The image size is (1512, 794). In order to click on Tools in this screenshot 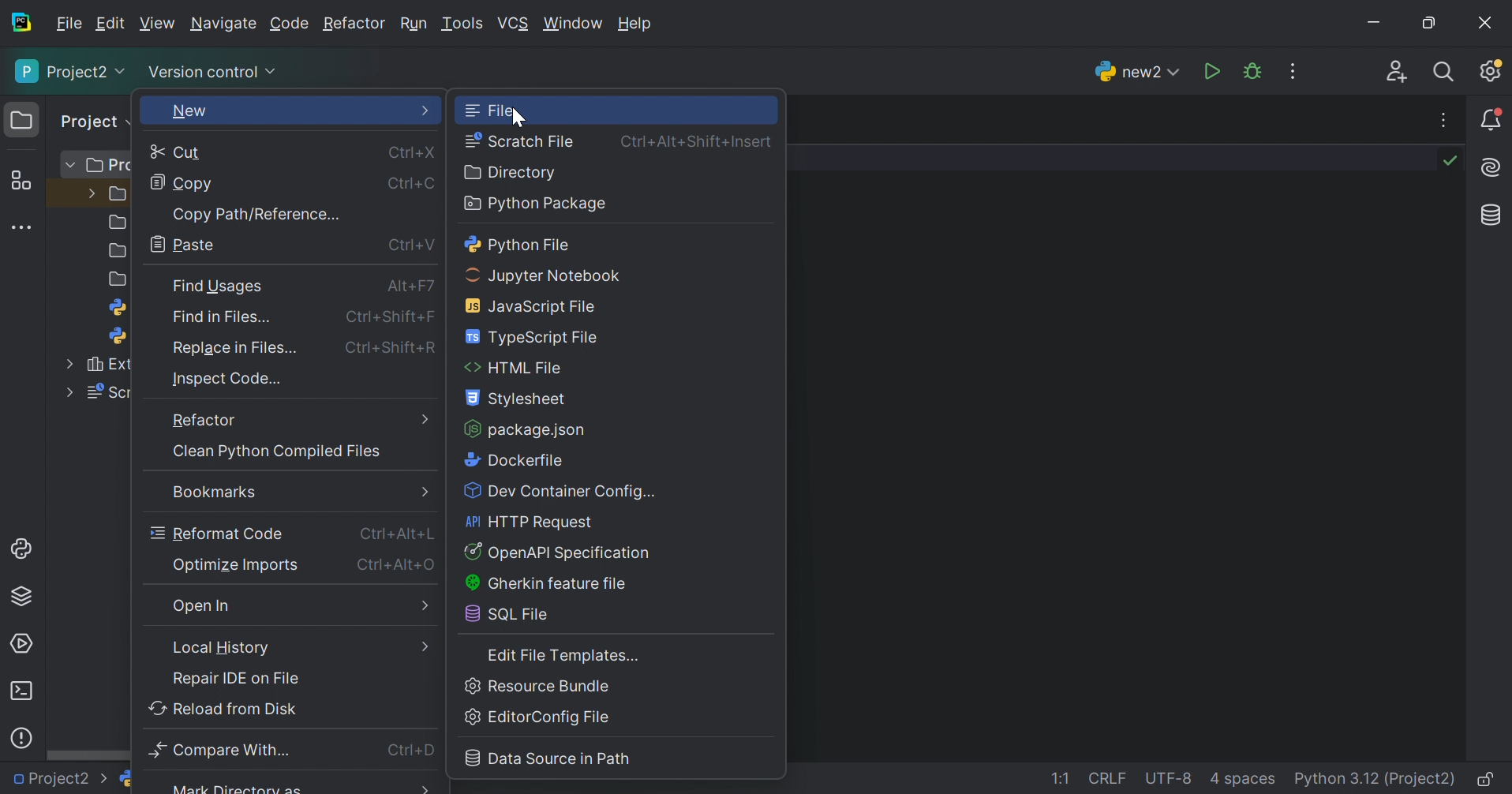, I will do `click(462, 24)`.